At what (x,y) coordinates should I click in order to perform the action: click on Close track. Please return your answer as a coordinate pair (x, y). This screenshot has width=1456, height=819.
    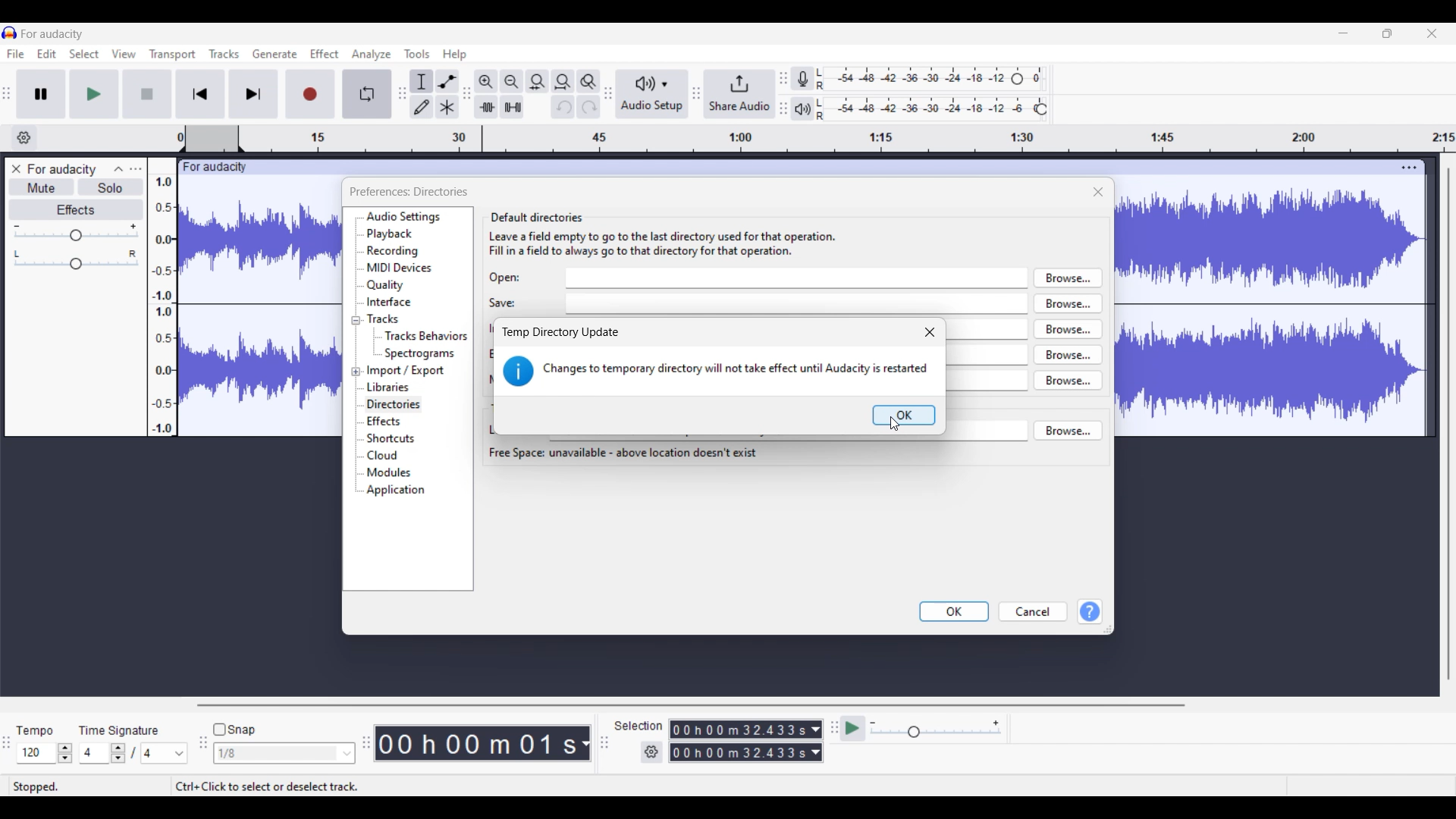
    Looking at the image, I should click on (17, 169).